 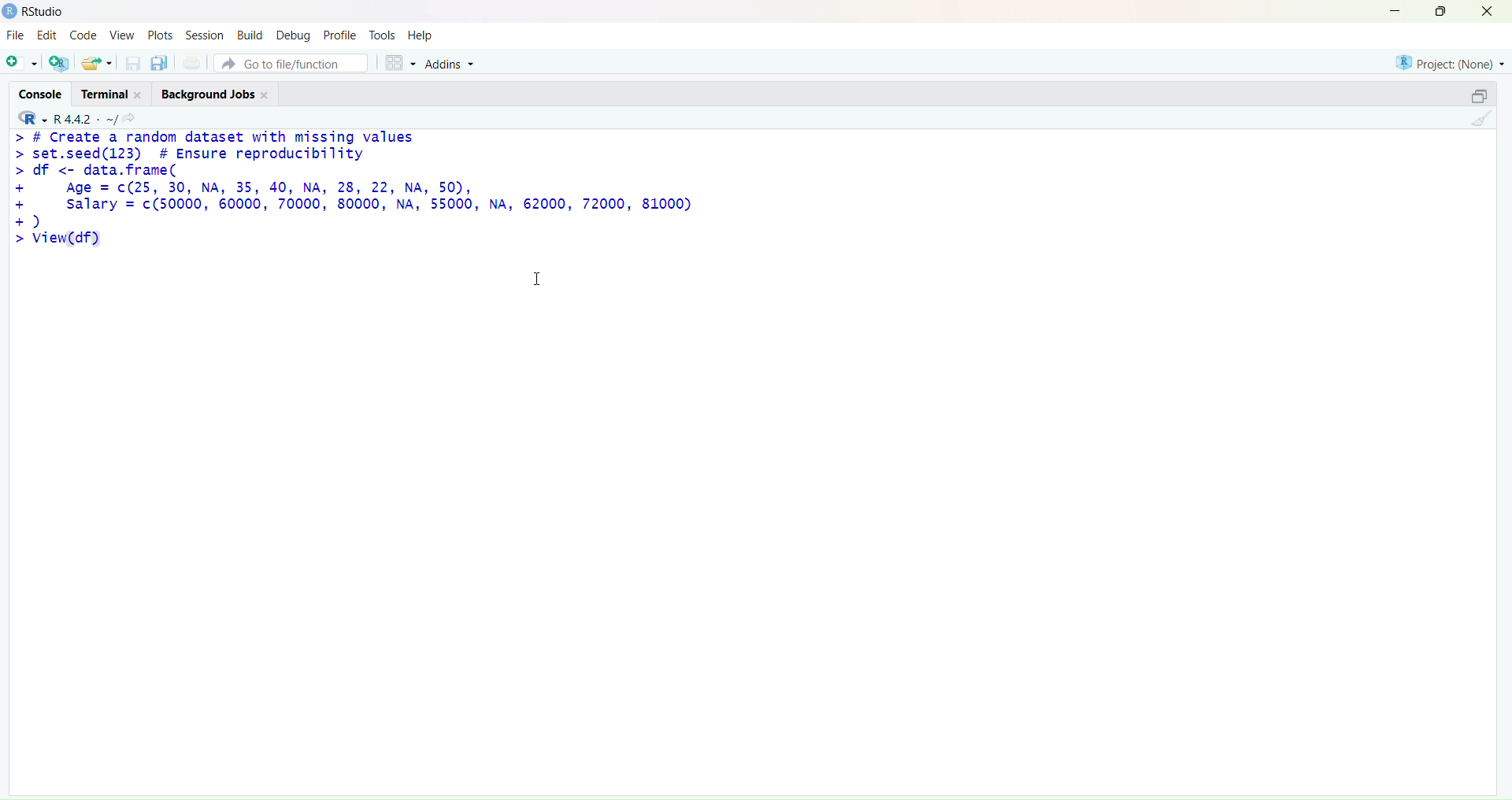 I want to click on workspace panes, so click(x=401, y=65).